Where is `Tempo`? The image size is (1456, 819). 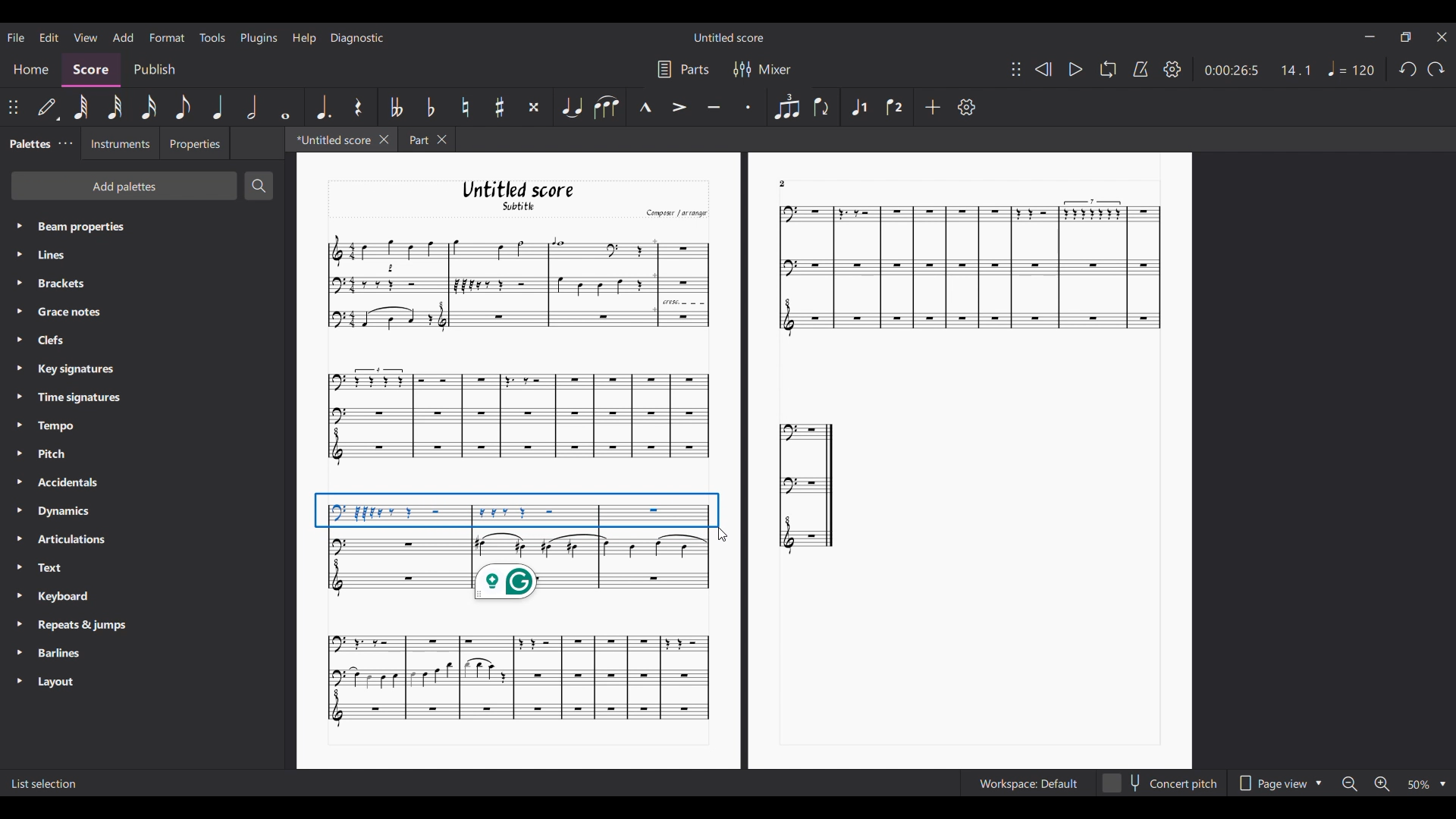 Tempo is located at coordinates (1352, 68).